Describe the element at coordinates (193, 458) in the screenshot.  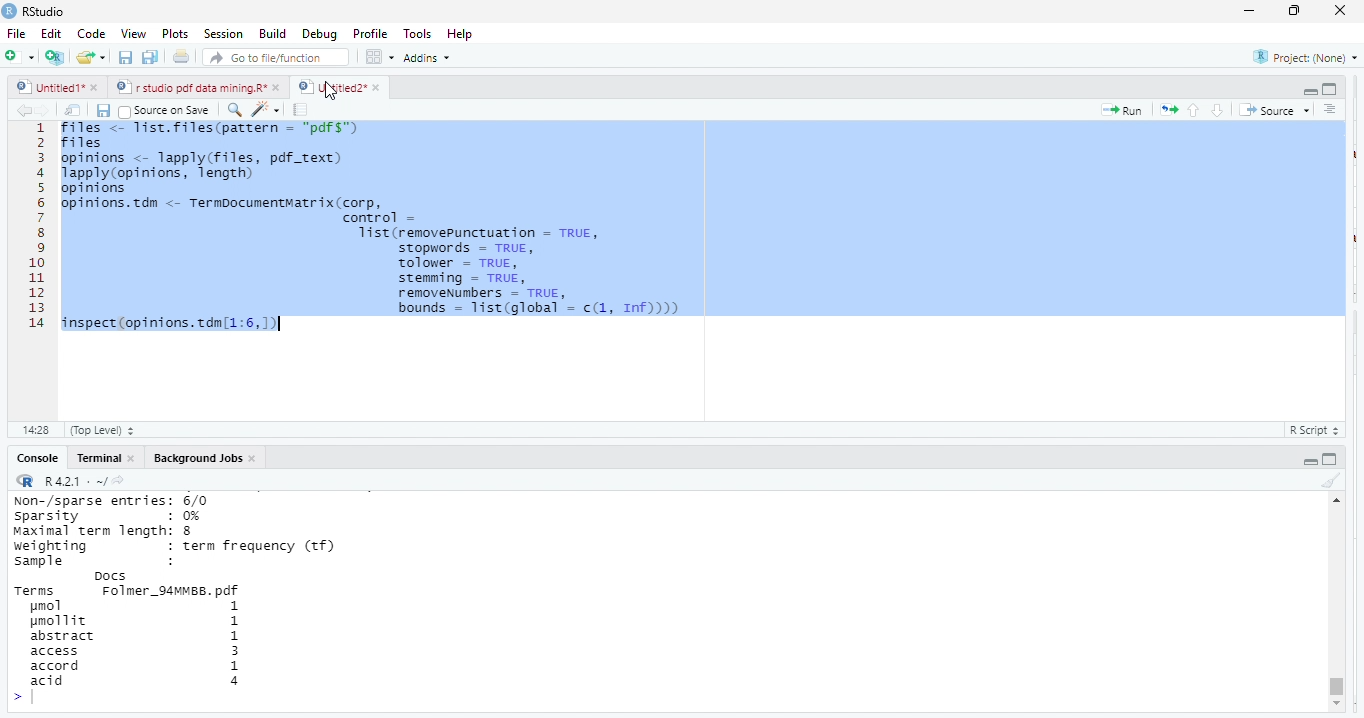
I see `background jobs` at that location.